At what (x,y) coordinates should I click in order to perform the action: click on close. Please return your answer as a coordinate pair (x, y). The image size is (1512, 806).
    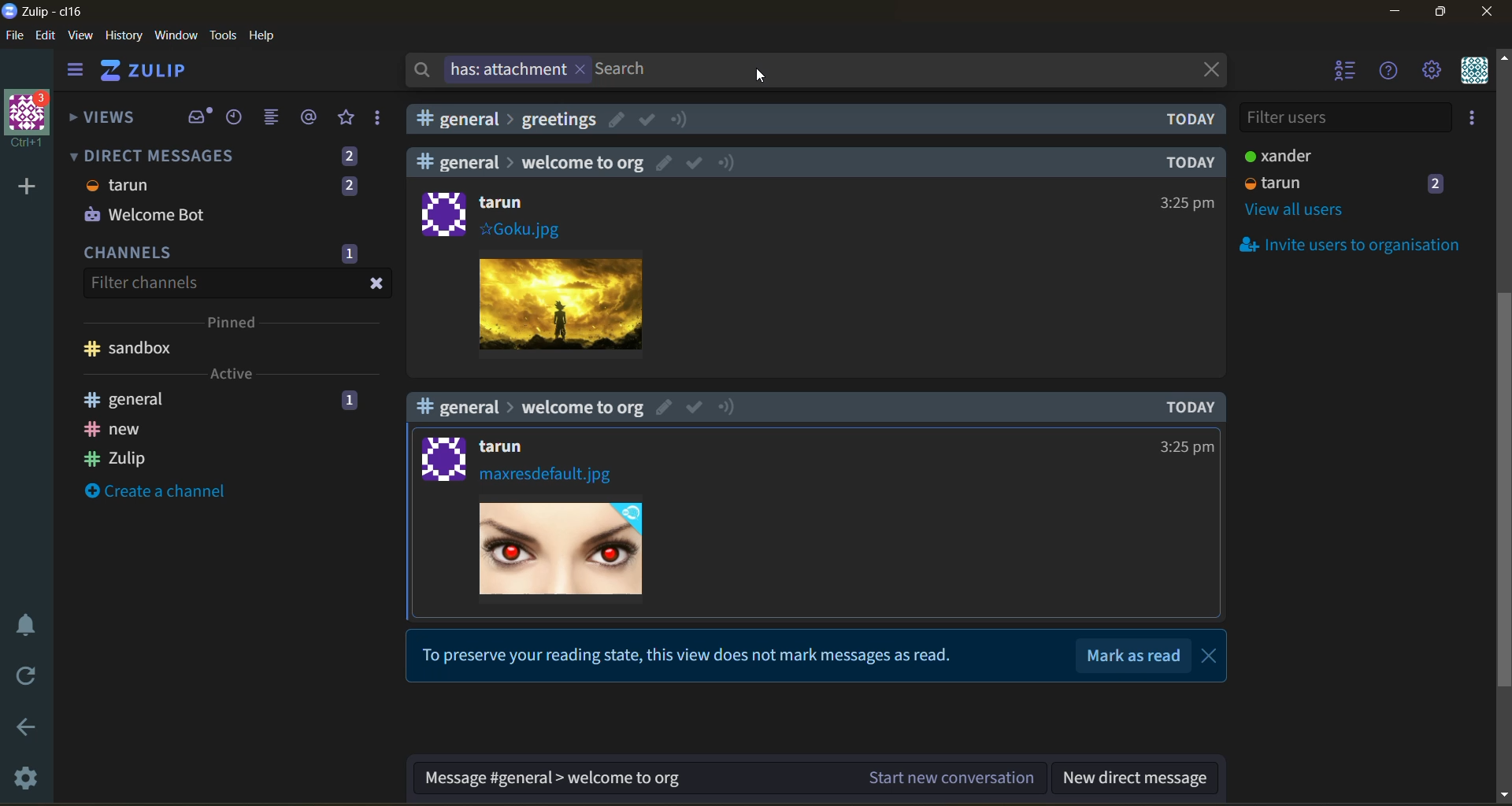
    Looking at the image, I should click on (1489, 12).